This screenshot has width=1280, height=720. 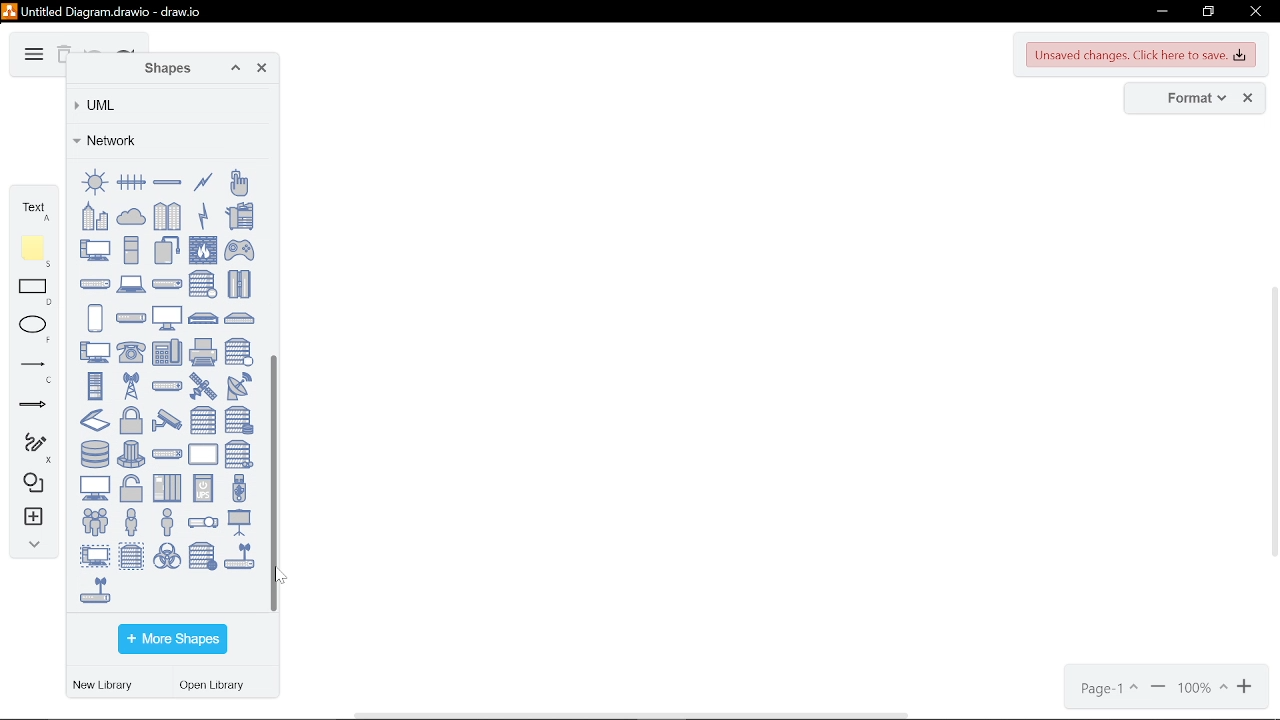 What do you see at coordinates (95, 284) in the screenshot?
I see `hub` at bounding box center [95, 284].